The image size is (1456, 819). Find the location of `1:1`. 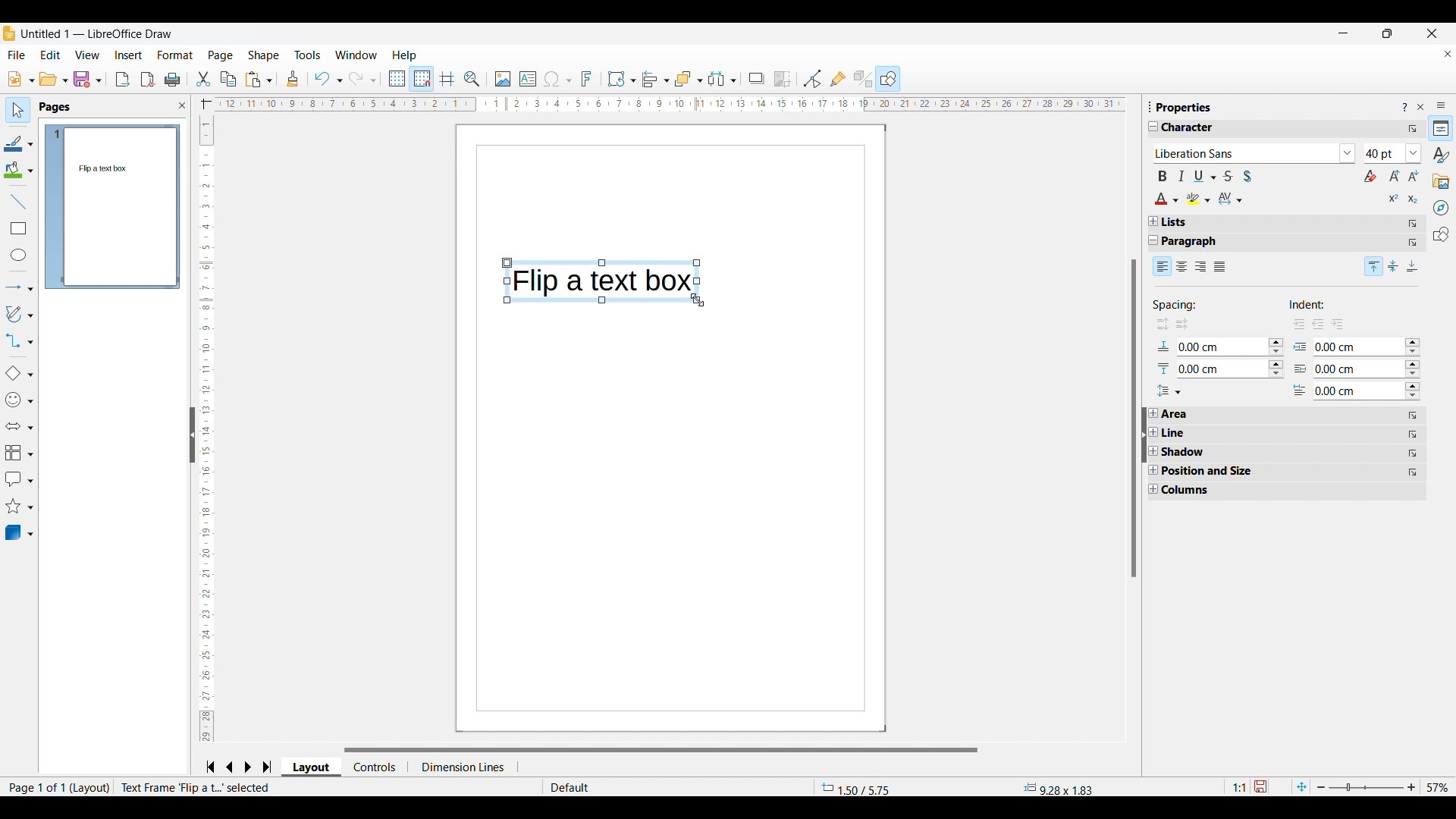

1:1 is located at coordinates (1238, 787).